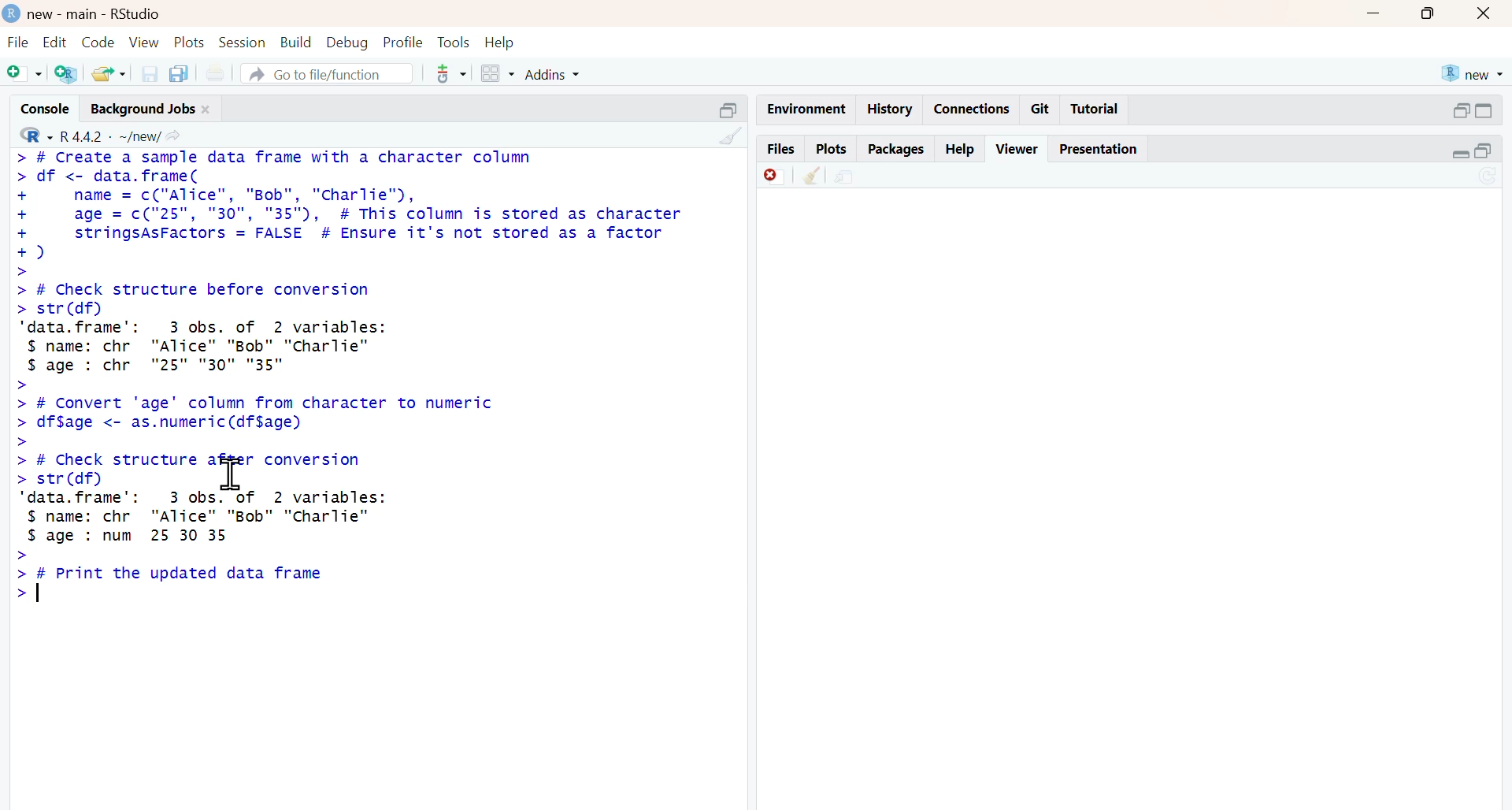 The height and width of the screenshot is (810, 1512). What do you see at coordinates (553, 75) in the screenshot?
I see `addins` at bounding box center [553, 75].